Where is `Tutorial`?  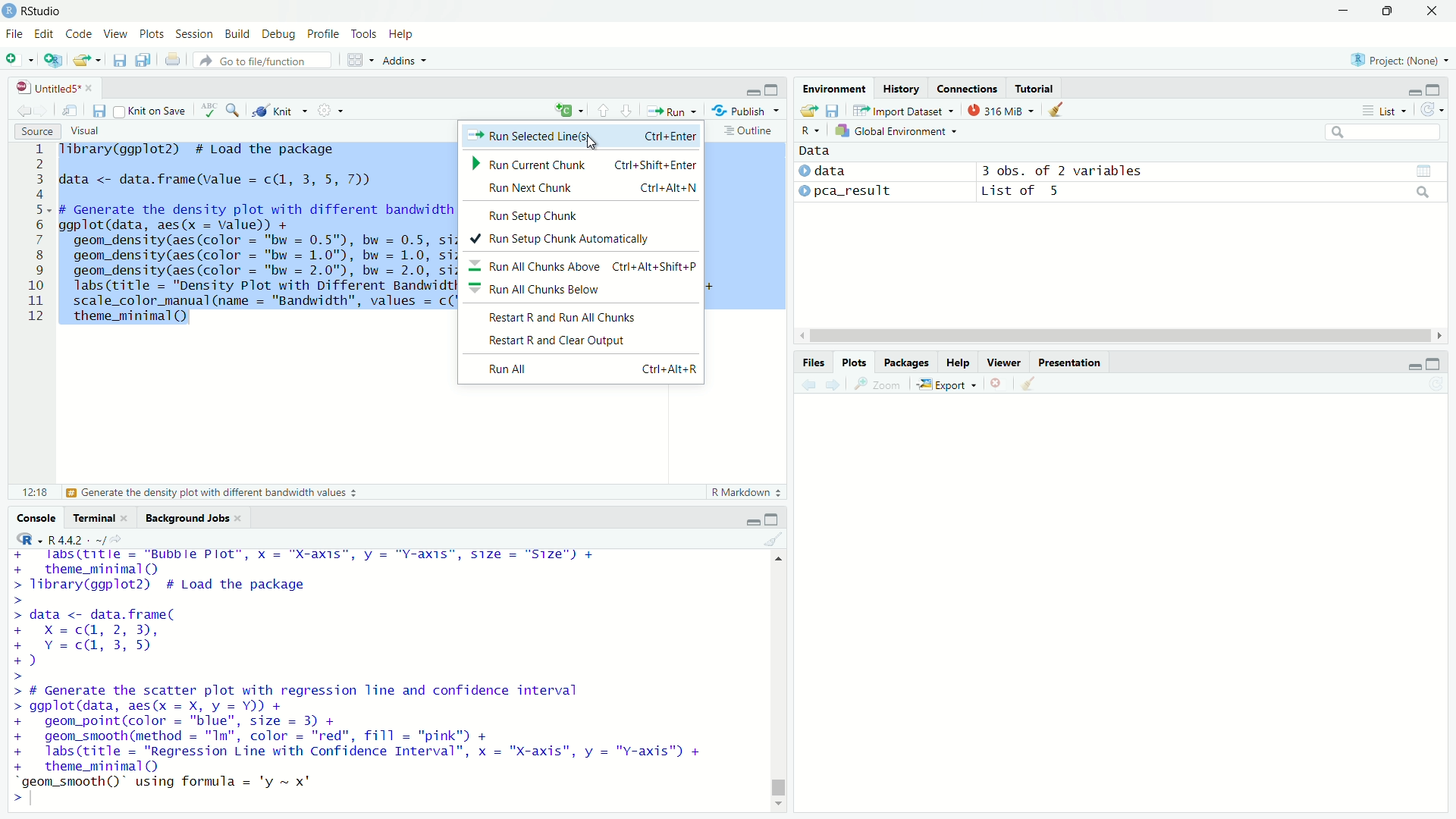
Tutorial is located at coordinates (1034, 88).